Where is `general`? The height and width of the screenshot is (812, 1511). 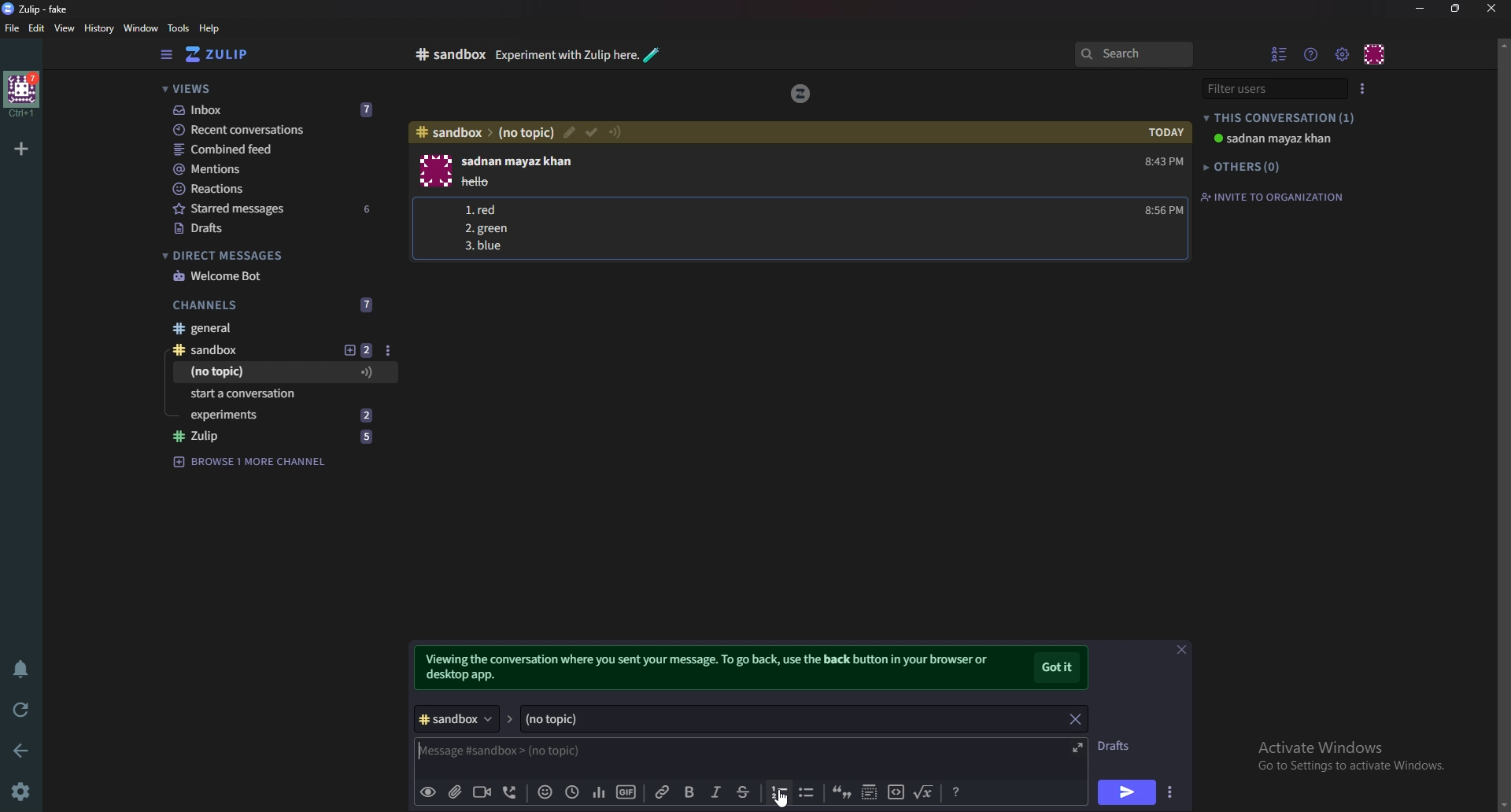
general is located at coordinates (275, 330).